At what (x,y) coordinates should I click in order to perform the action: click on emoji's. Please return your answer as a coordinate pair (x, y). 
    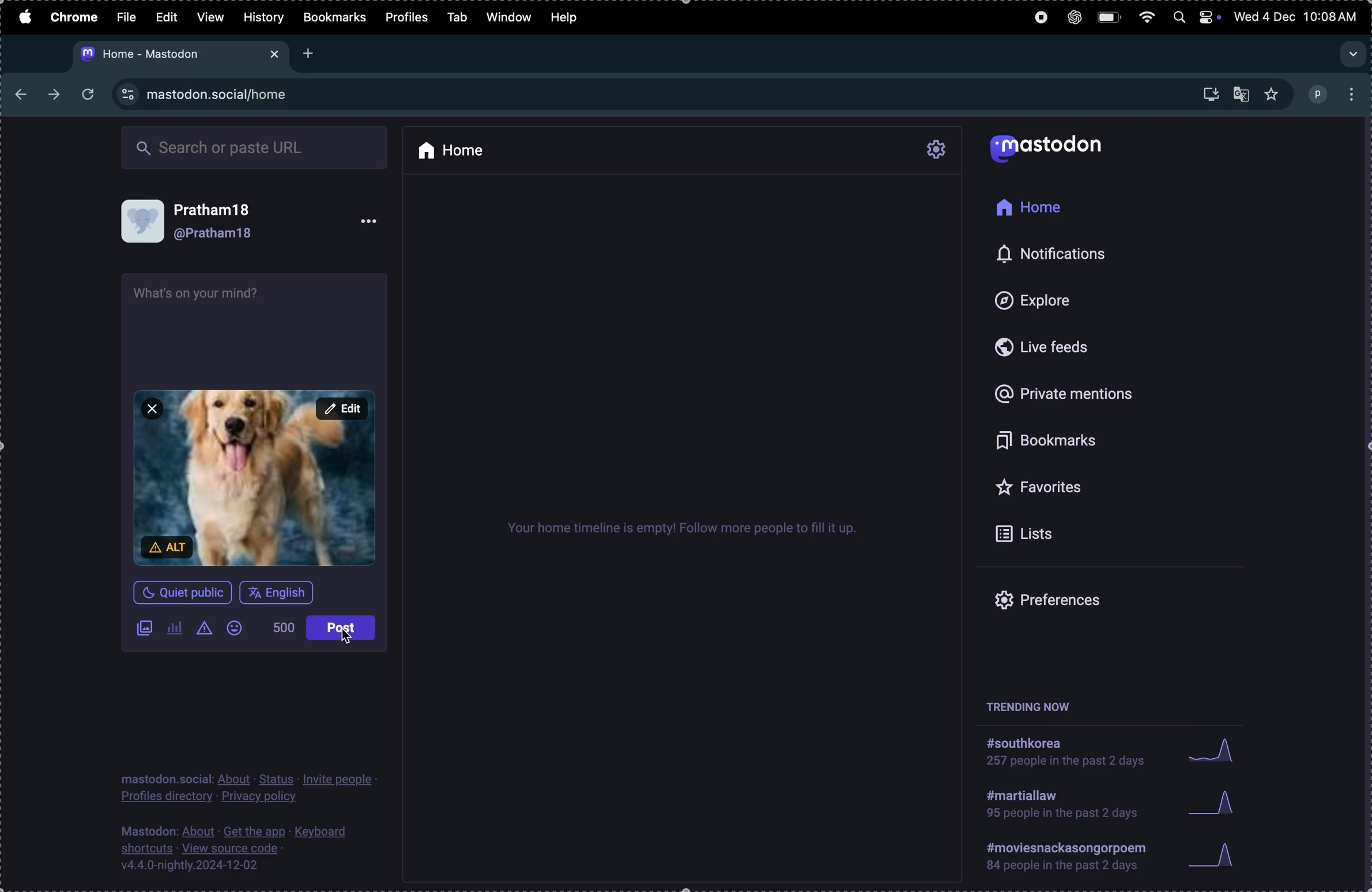
    Looking at the image, I should click on (239, 630).